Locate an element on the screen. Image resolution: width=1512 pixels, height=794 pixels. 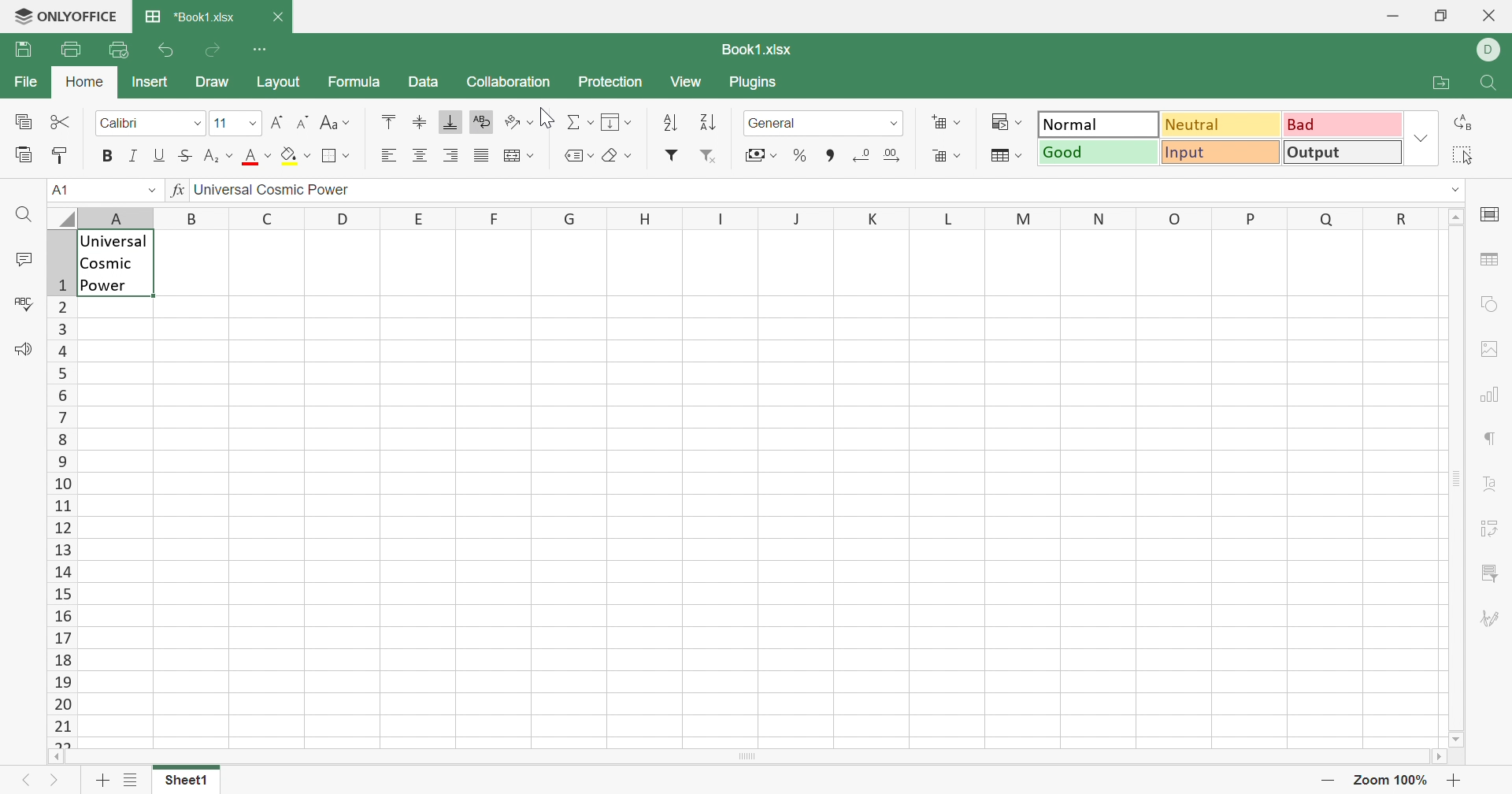
Select all is located at coordinates (1462, 155).